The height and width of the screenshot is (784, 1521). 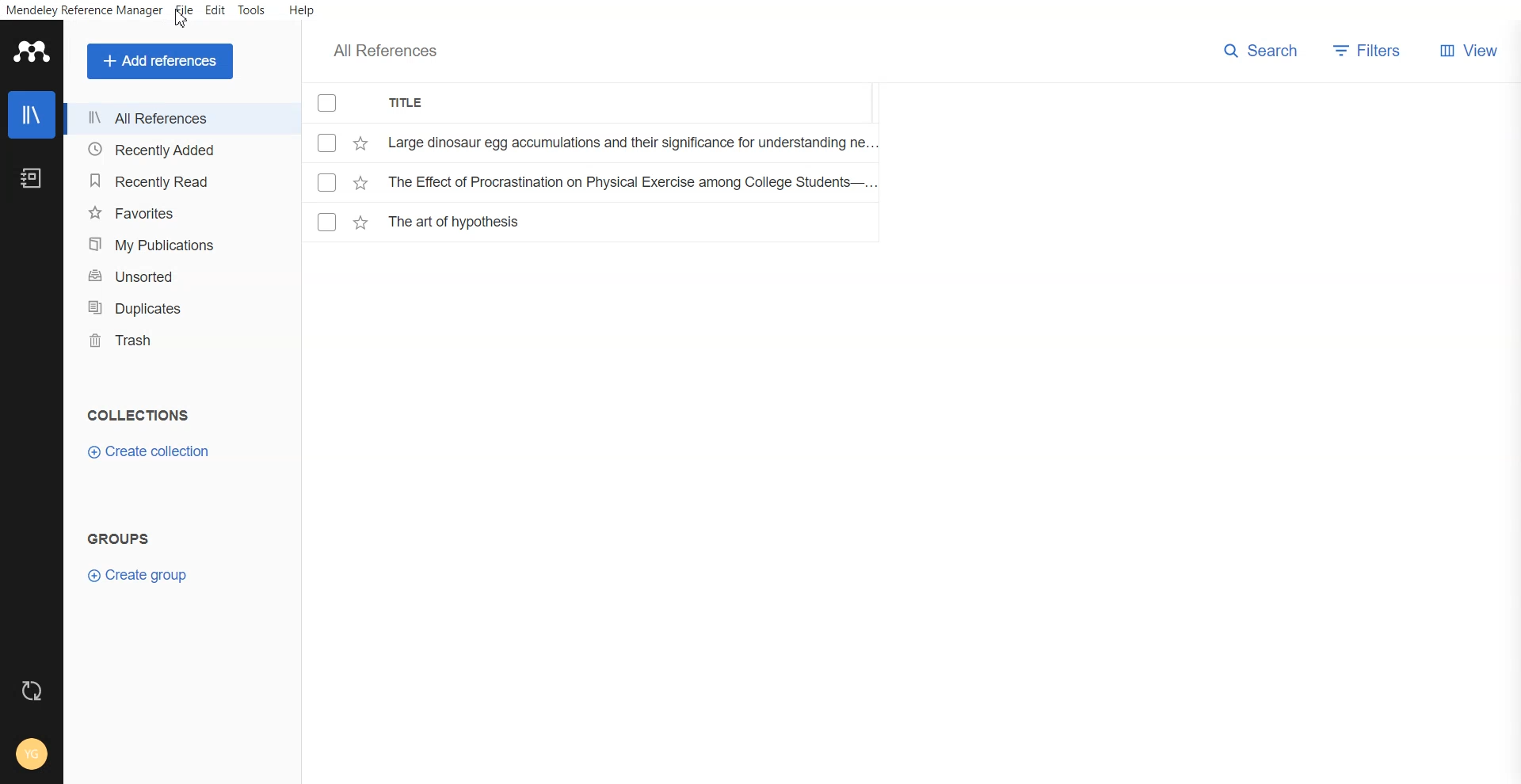 I want to click on Duplicates, so click(x=168, y=306).